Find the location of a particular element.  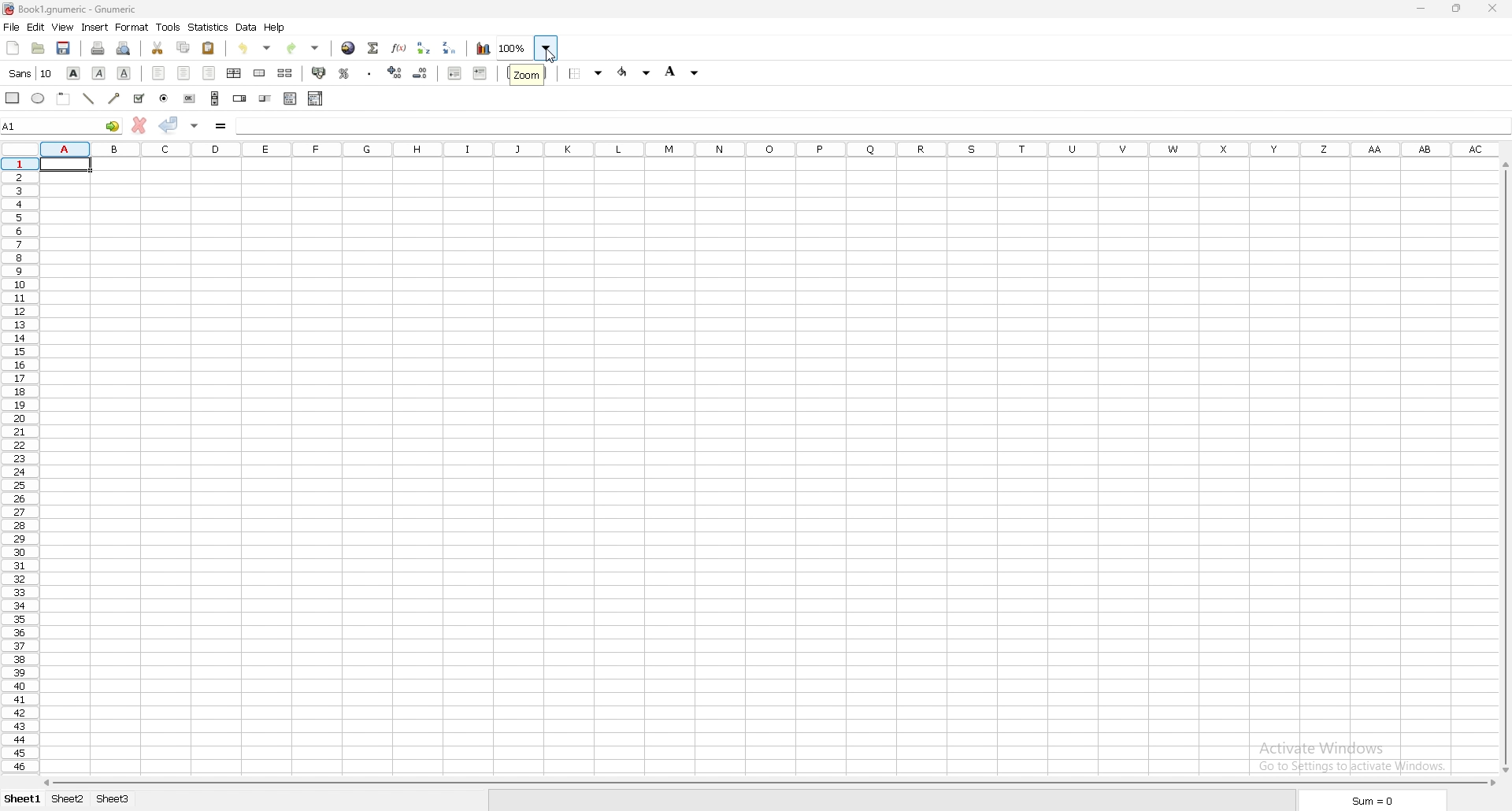

copy is located at coordinates (183, 47).